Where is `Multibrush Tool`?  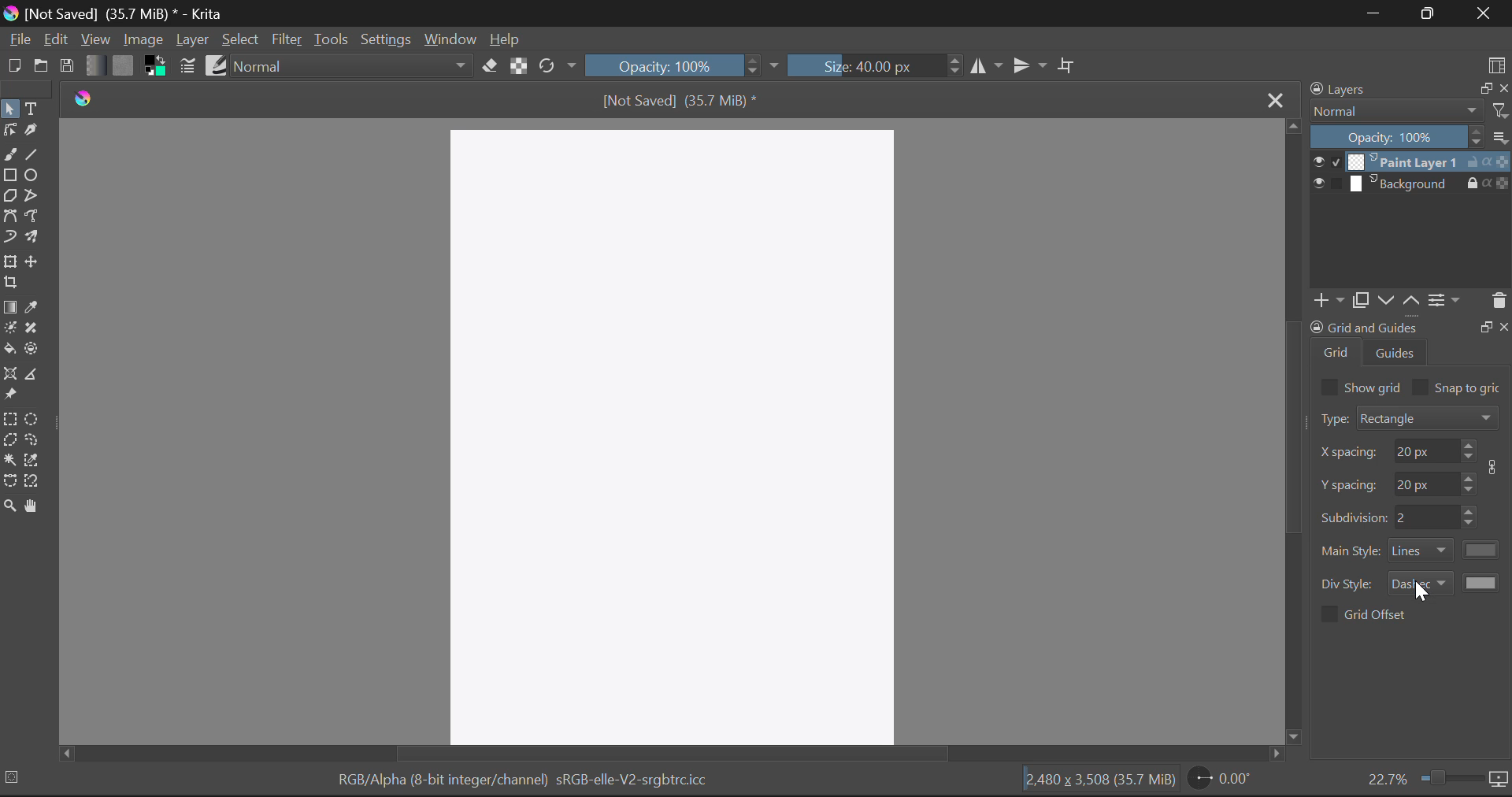 Multibrush Tool is located at coordinates (35, 239).